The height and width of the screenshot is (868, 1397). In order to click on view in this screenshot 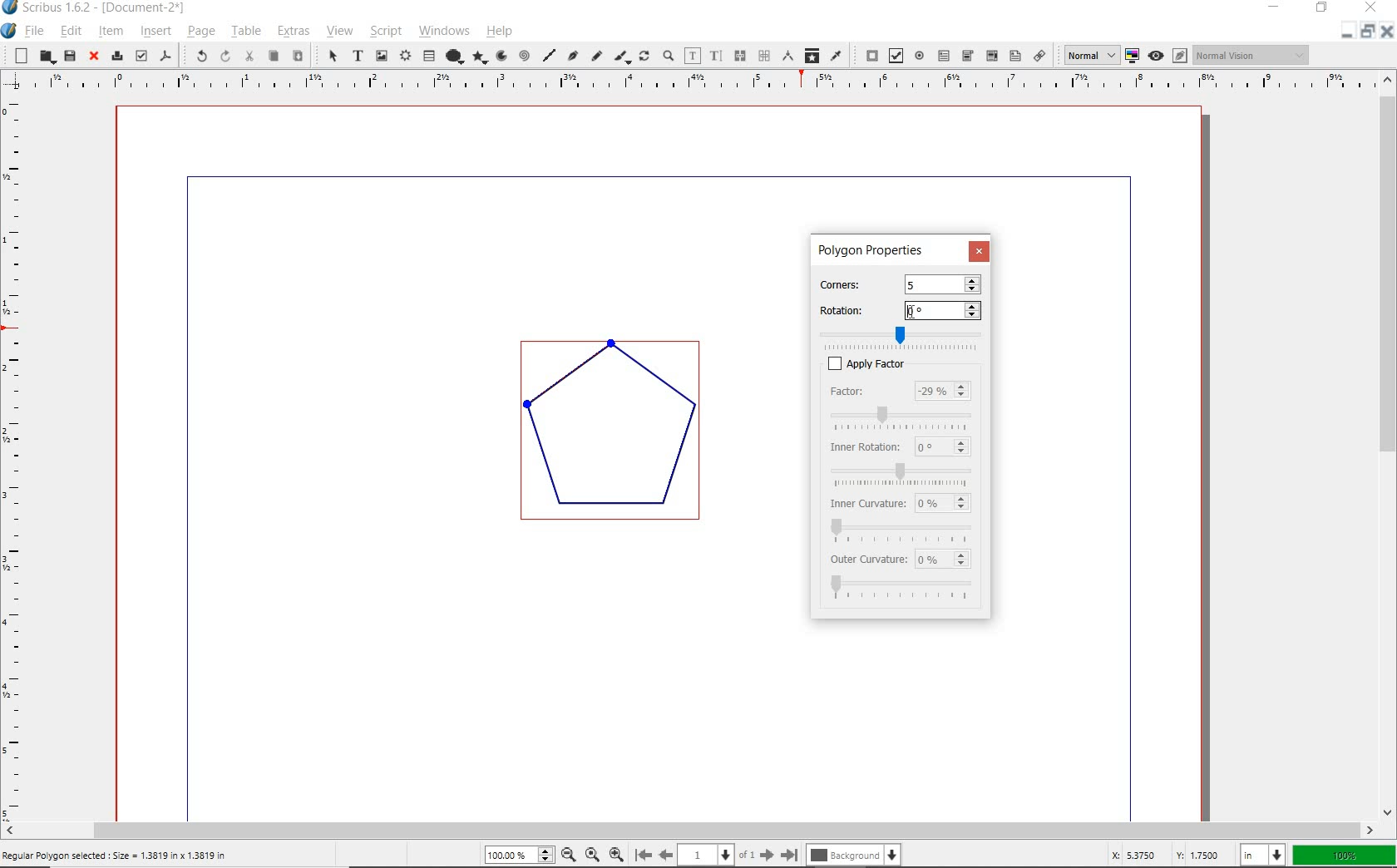, I will do `click(339, 32)`.